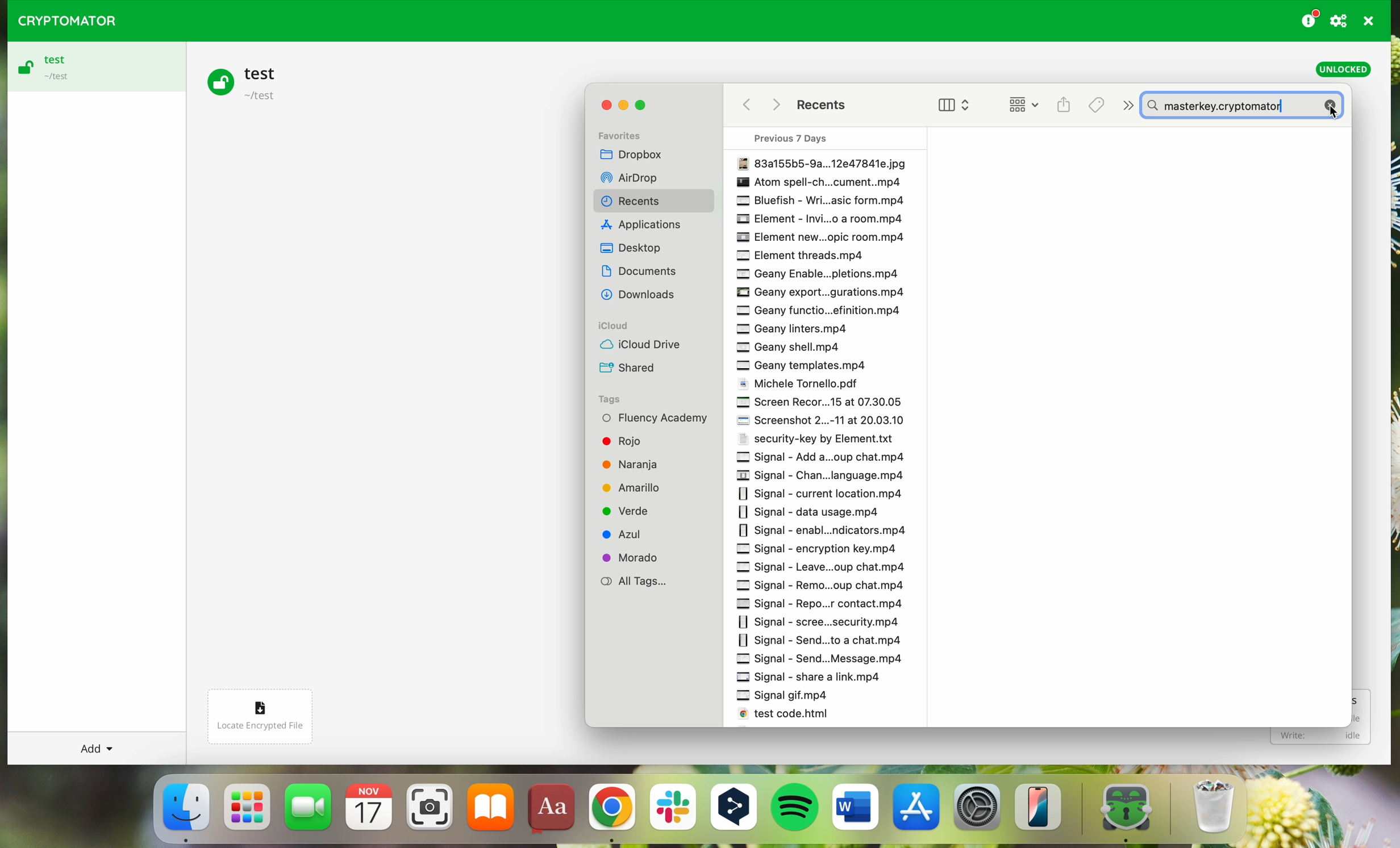  What do you see at coordinates (643, 271) in the screenshot?
I see `` at bounding box center [643, 271].